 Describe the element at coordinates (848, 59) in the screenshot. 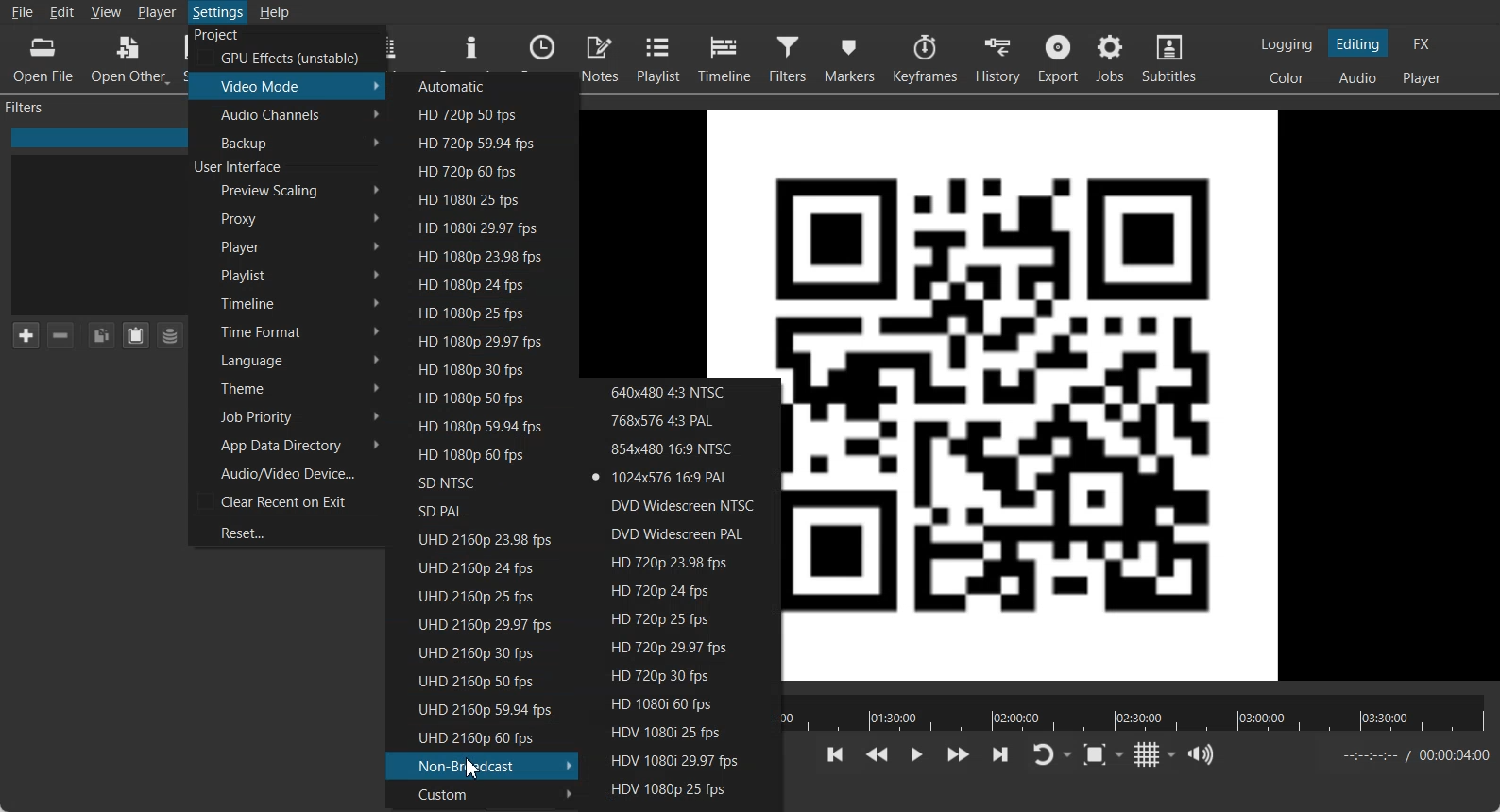

I see `Markers` at that location.